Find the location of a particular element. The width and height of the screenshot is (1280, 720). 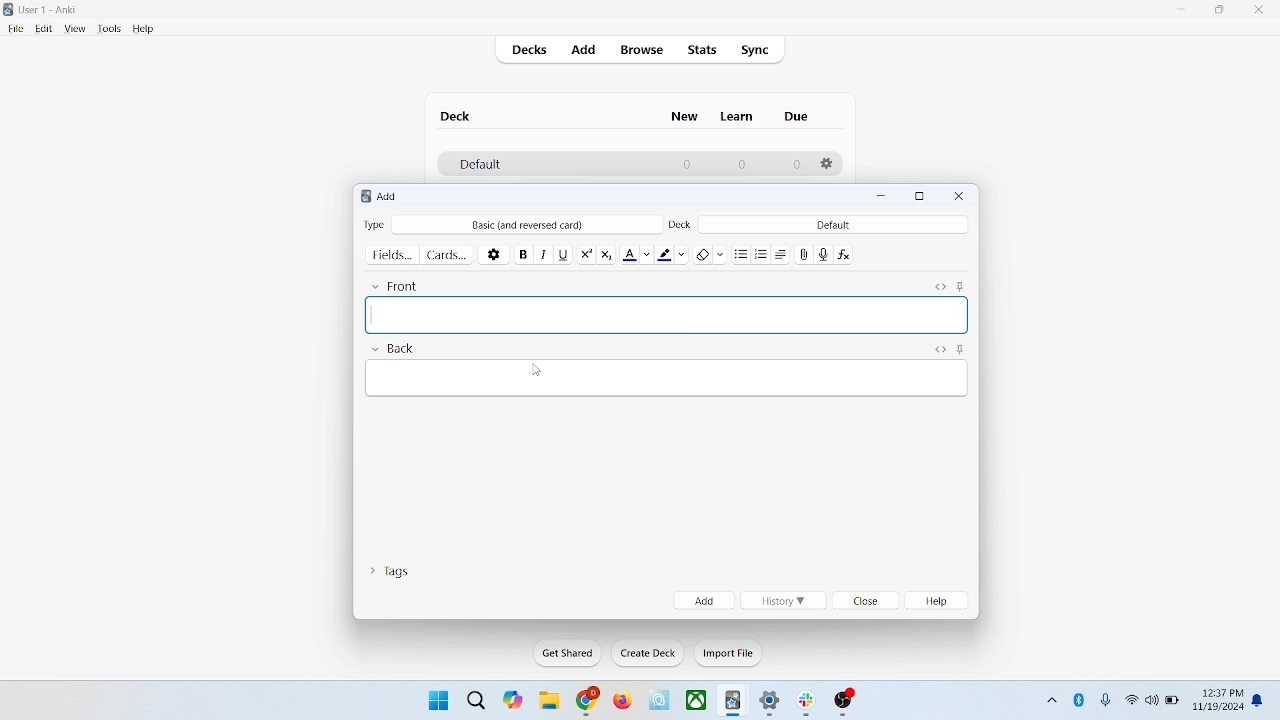

show hidden icons is located at coordinates (1050, 697).